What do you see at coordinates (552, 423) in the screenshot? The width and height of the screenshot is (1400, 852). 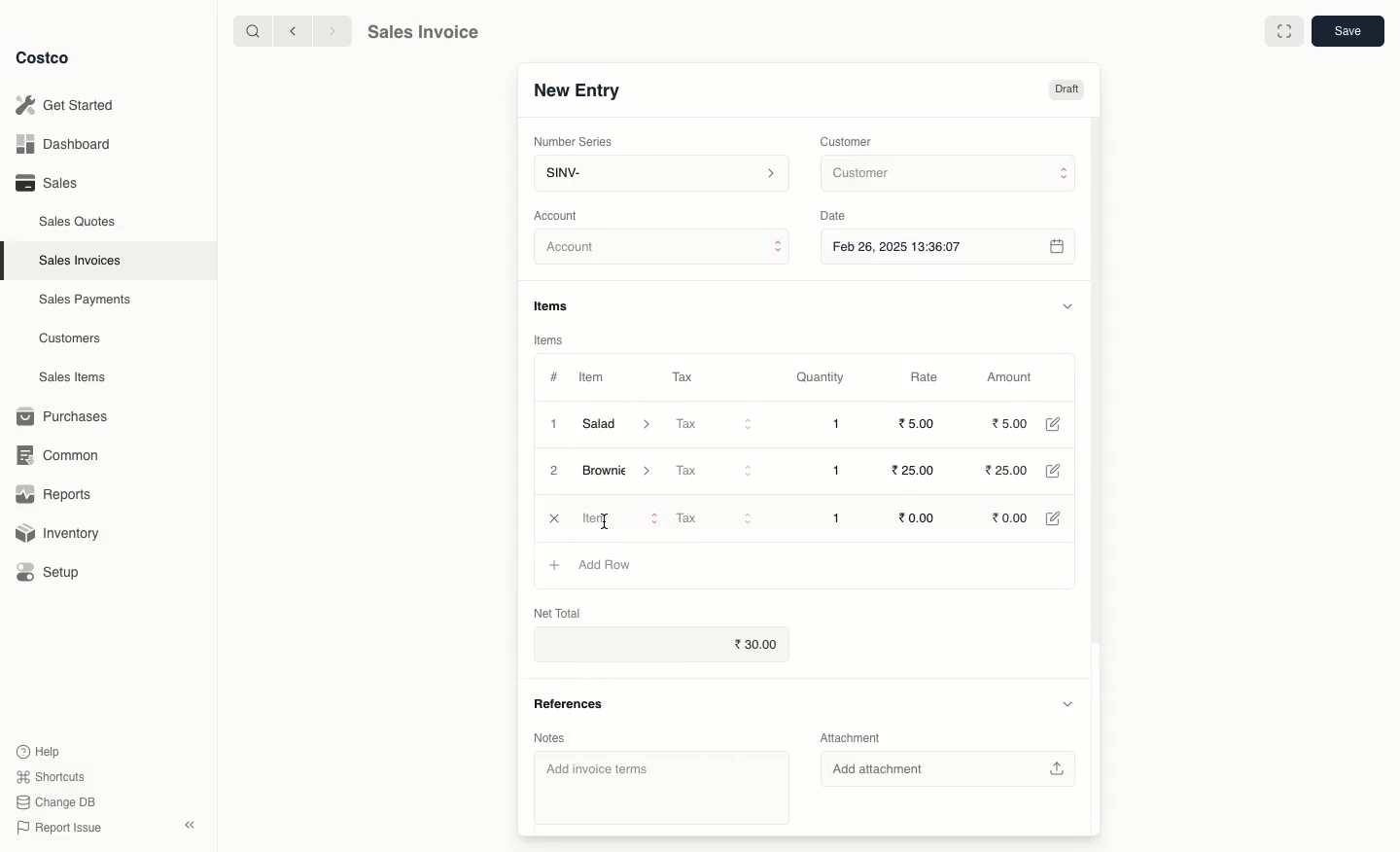 I see `1` at bounding box center [552, 423].